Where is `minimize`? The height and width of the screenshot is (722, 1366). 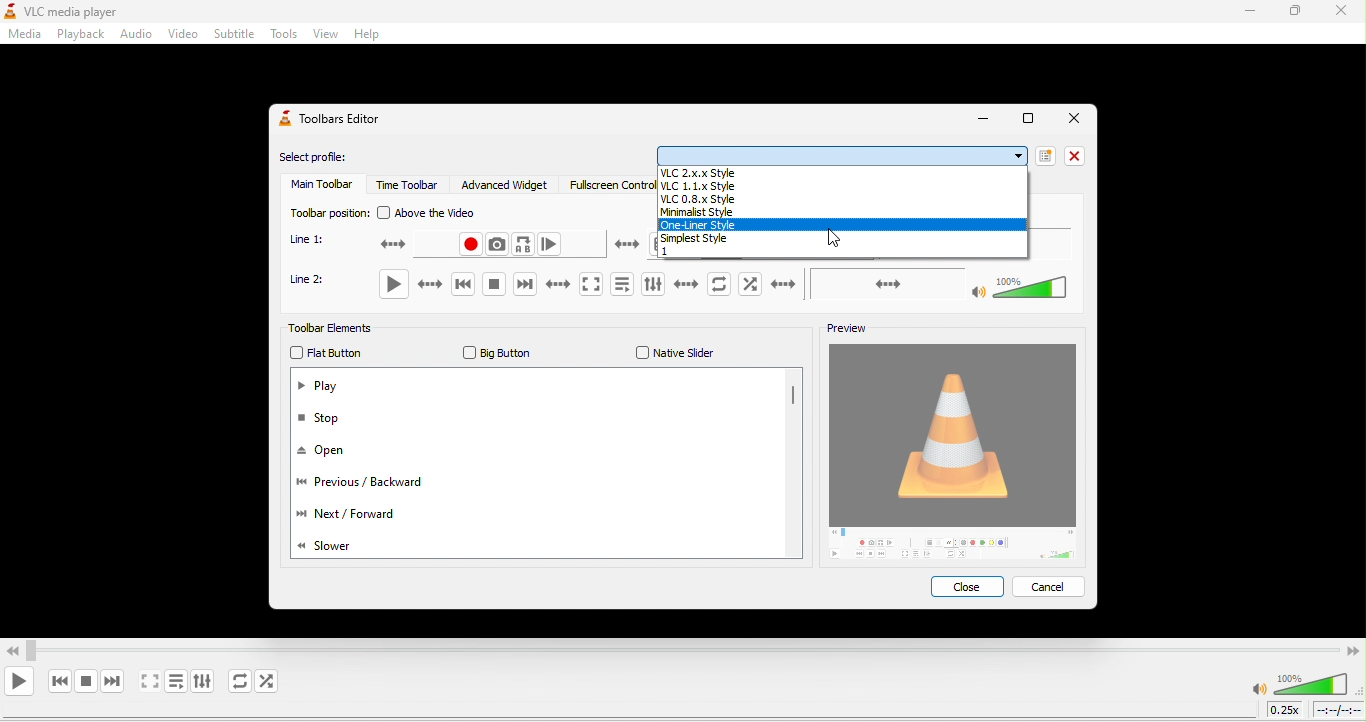
minimize is located at coordinates (982, 120).